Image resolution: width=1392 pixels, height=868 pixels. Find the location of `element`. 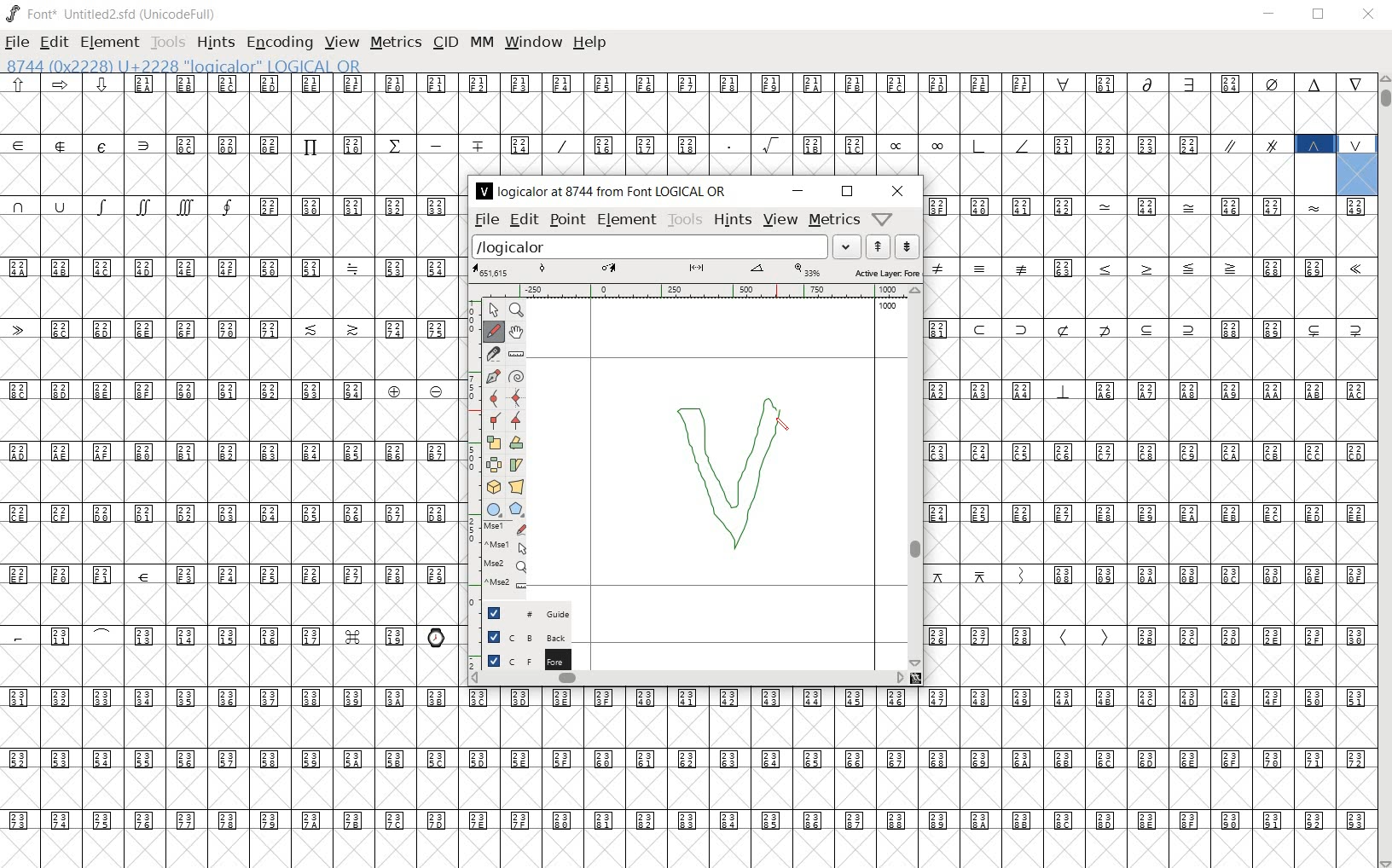

element is located at coordinates (626, 221).